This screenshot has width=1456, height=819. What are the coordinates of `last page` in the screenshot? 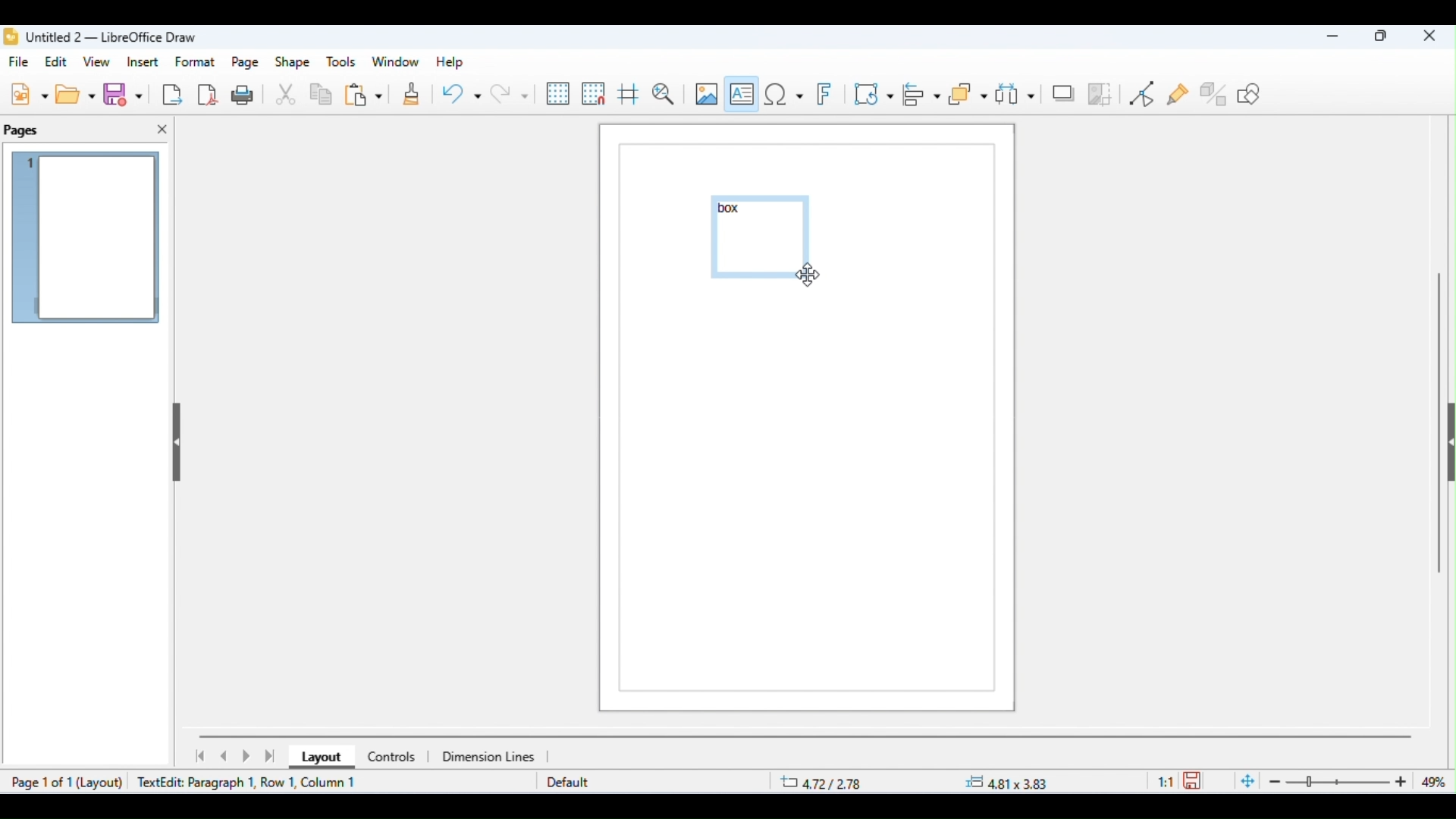 It's located at (271, 756).